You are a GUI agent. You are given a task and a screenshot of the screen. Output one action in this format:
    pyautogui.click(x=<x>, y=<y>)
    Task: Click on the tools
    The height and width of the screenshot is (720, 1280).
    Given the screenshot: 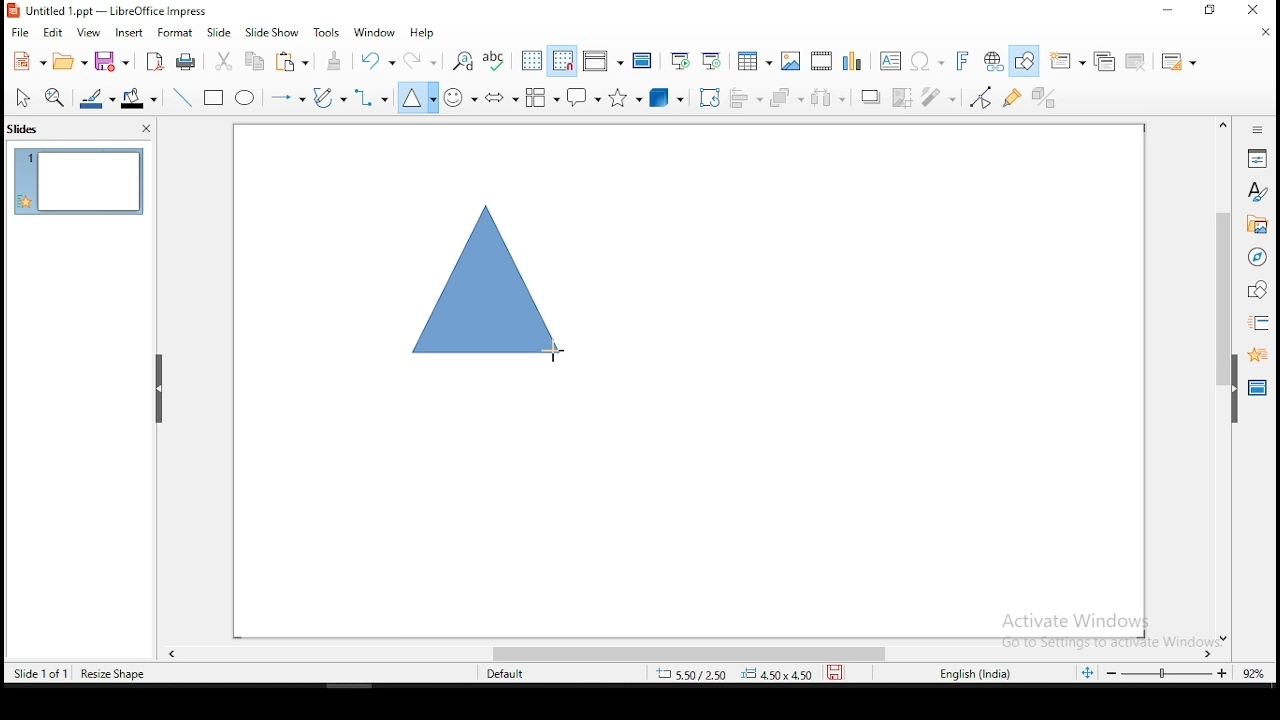 What is the action you would take?
    pyautogui.click(x=330, y=31)
    